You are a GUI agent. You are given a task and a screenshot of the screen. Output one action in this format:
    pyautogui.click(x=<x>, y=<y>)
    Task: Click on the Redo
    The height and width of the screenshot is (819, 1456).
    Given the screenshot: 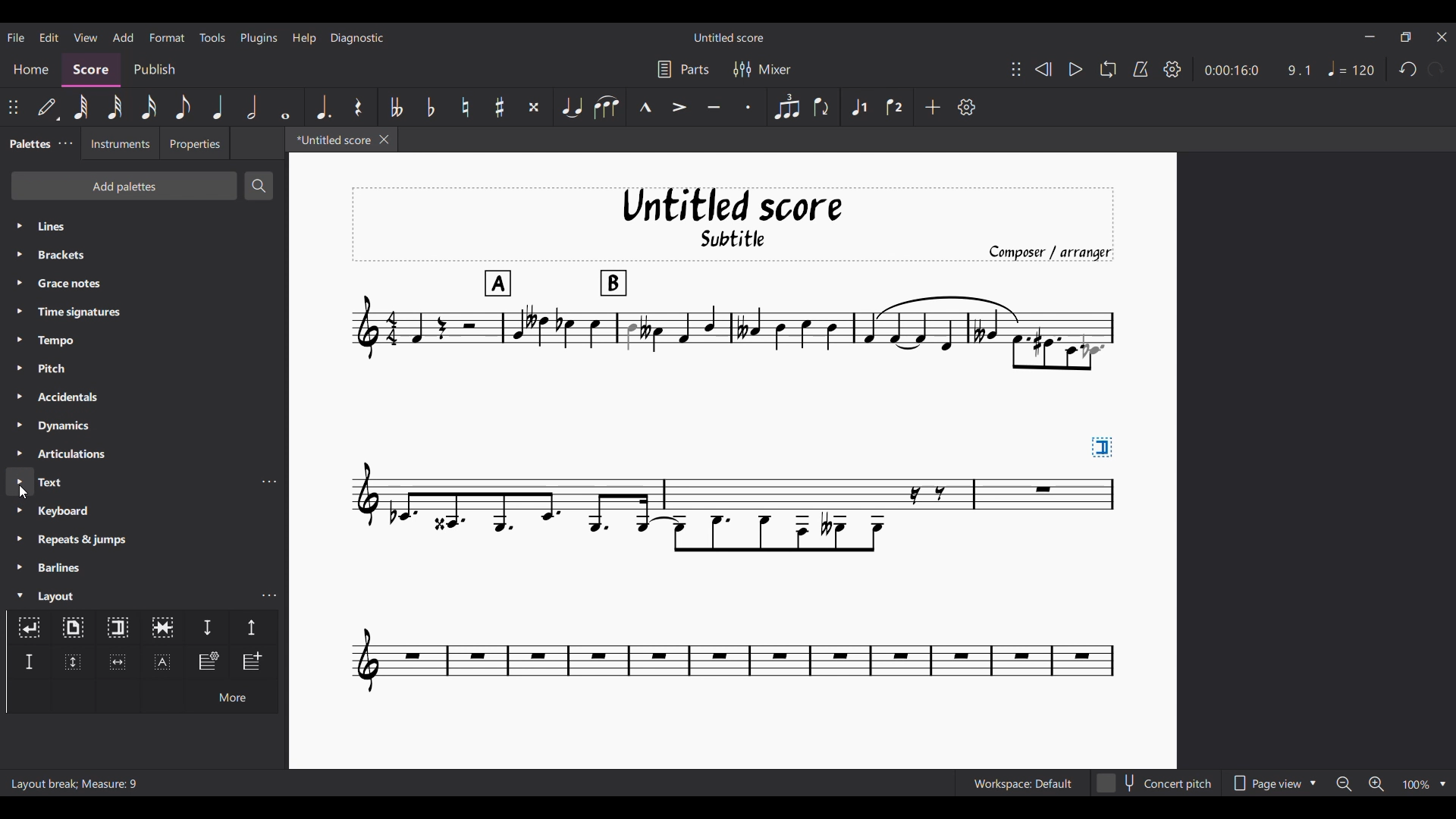 What is the action you would take?
    pyautogui.click(x=1436, y=69)
    